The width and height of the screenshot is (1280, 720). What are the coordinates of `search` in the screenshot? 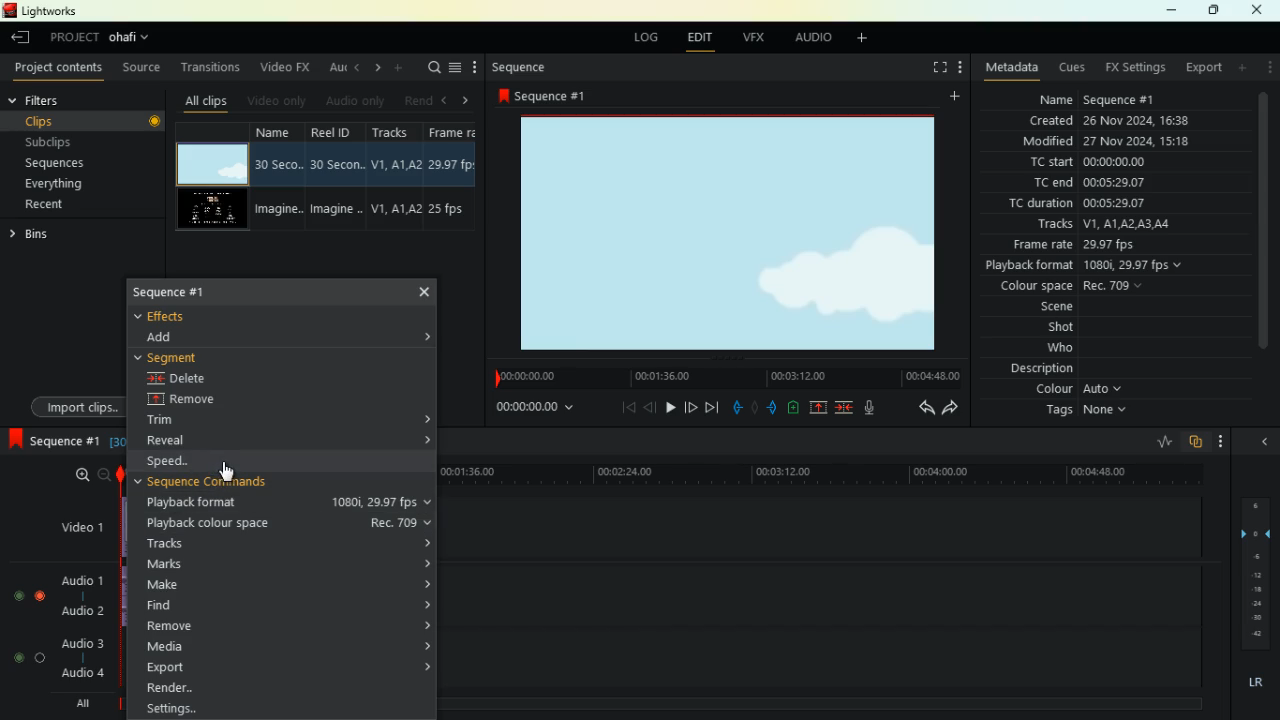 It's located at (431, 69).